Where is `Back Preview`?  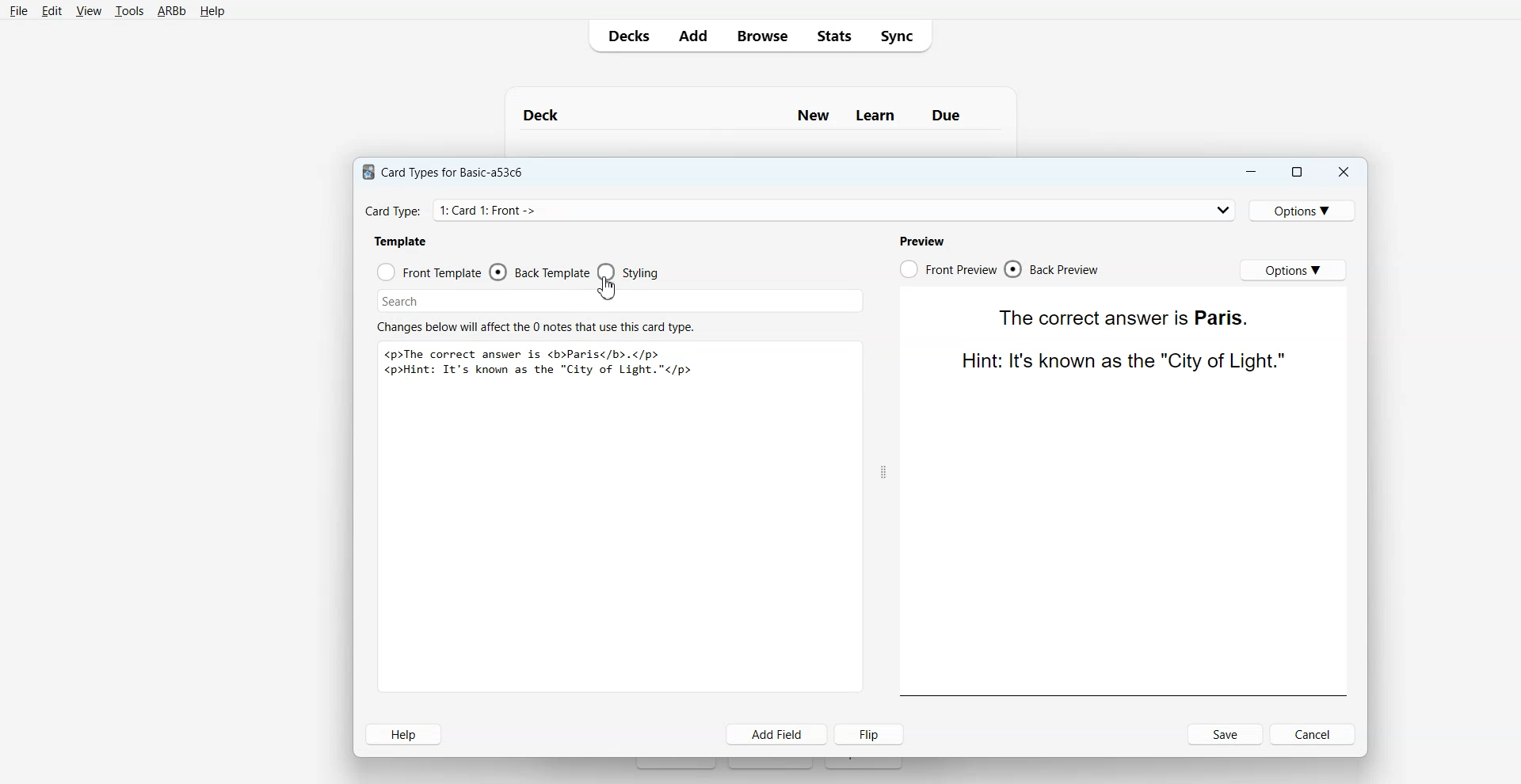 Back Preview is located at coordinates (1052, 269).